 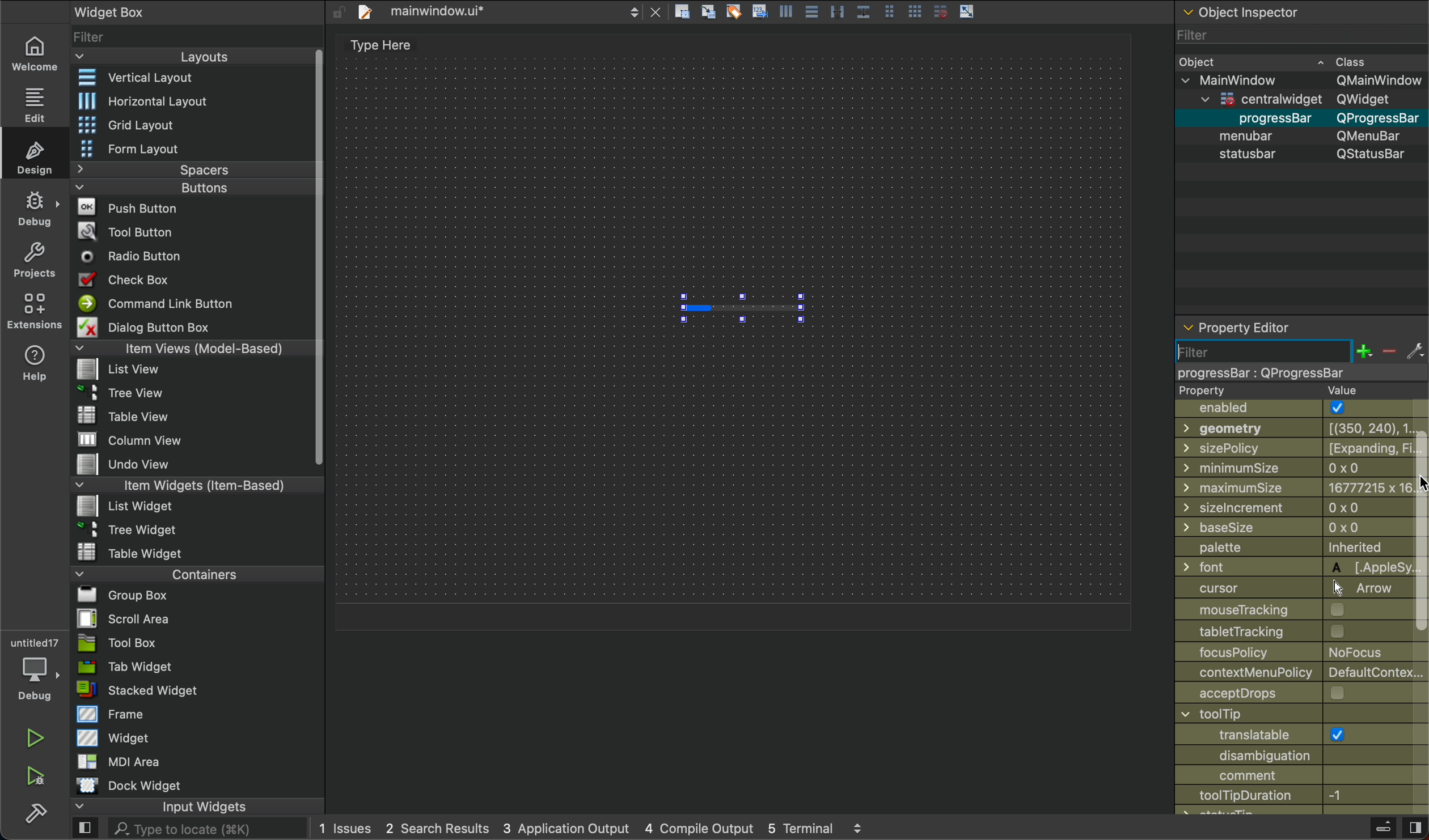 What do you see at coordinates (1382, 829) in the screenshot?
I see `Build` at bounding box center [1382, 829].